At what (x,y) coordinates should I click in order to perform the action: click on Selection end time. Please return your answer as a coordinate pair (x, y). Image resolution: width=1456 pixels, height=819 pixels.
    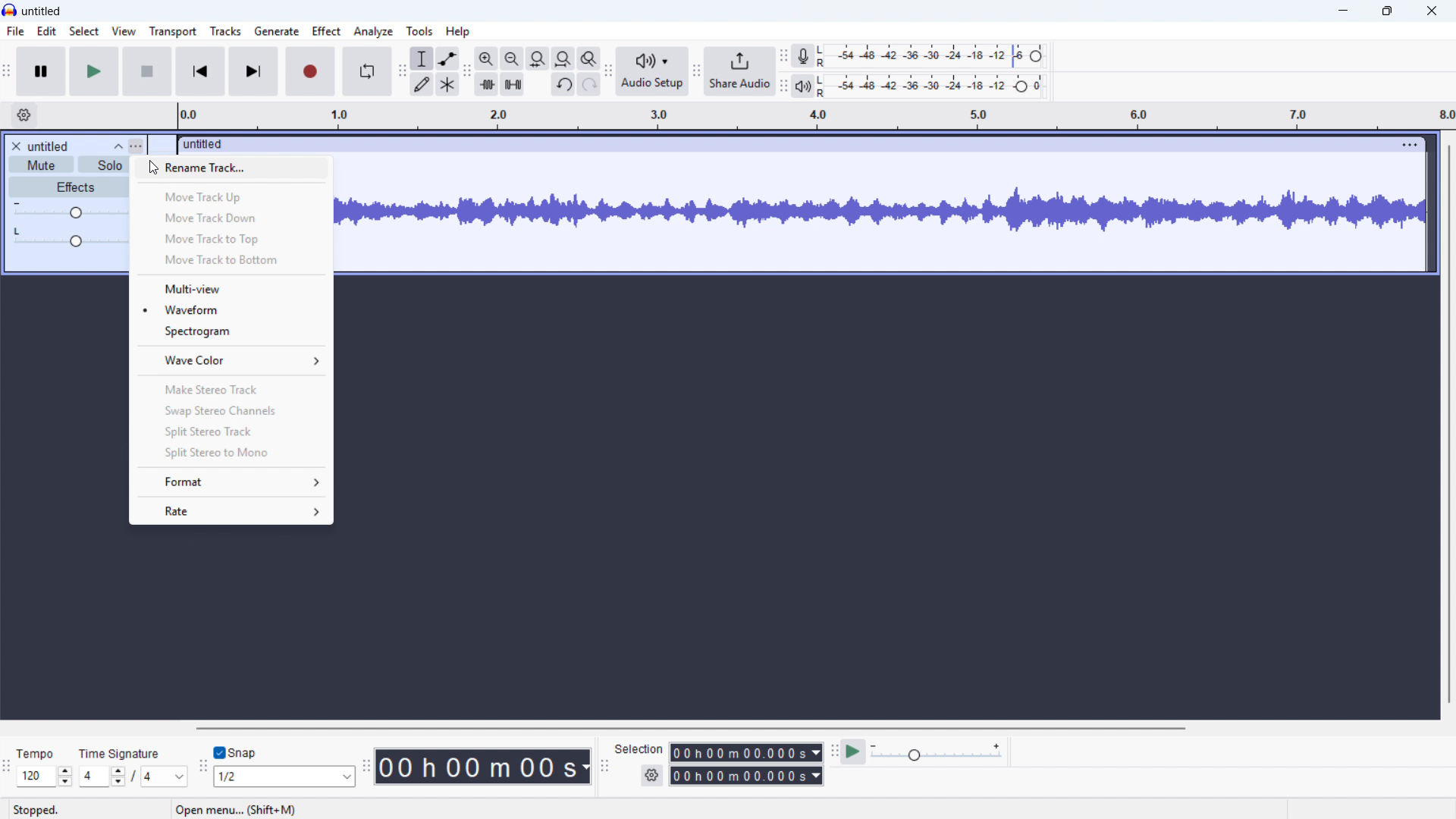
    Looking at the image, I should click on (745, 776).